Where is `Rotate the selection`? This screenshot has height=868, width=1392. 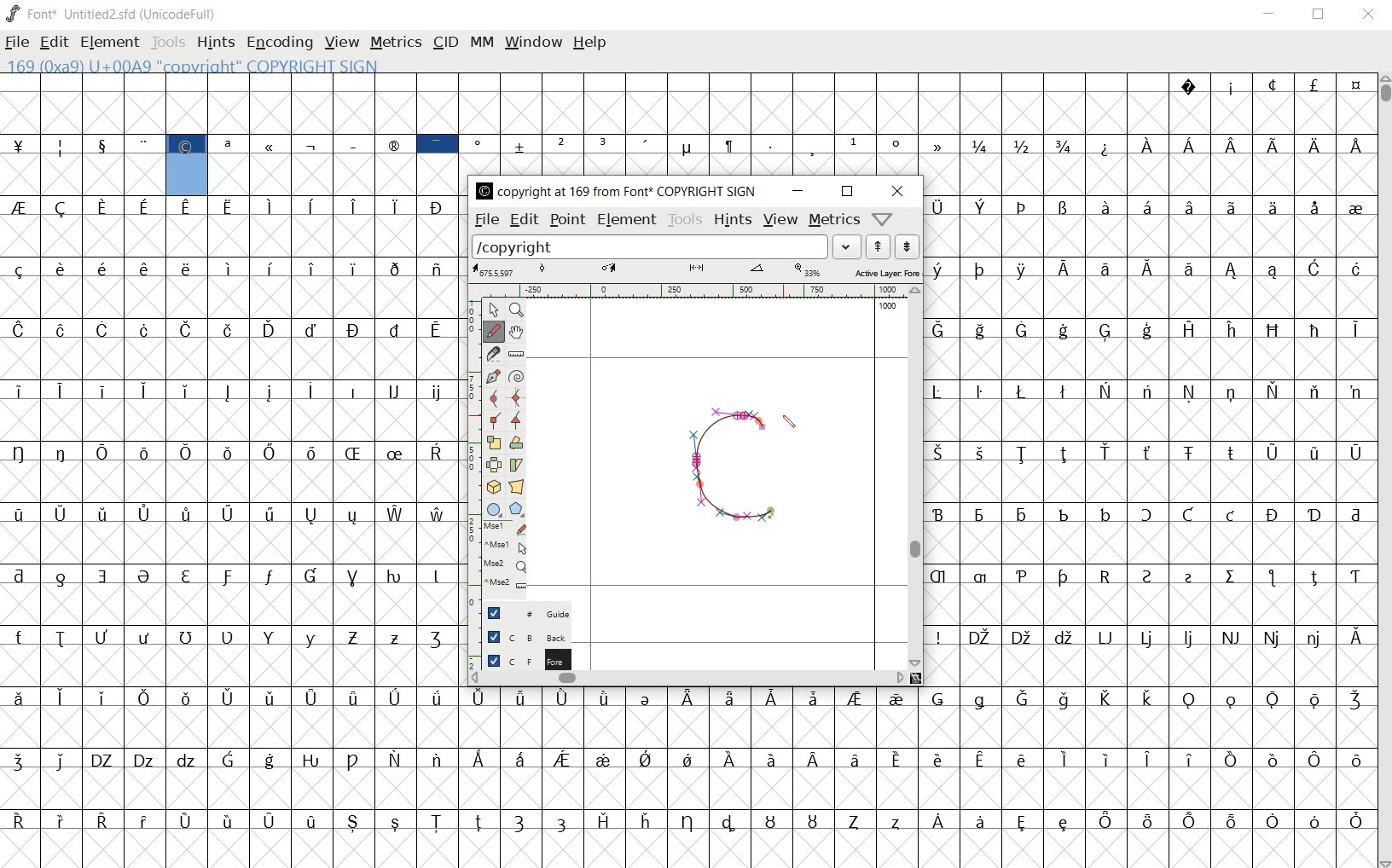 Rotate the selection is located at coordinates (518, 464).